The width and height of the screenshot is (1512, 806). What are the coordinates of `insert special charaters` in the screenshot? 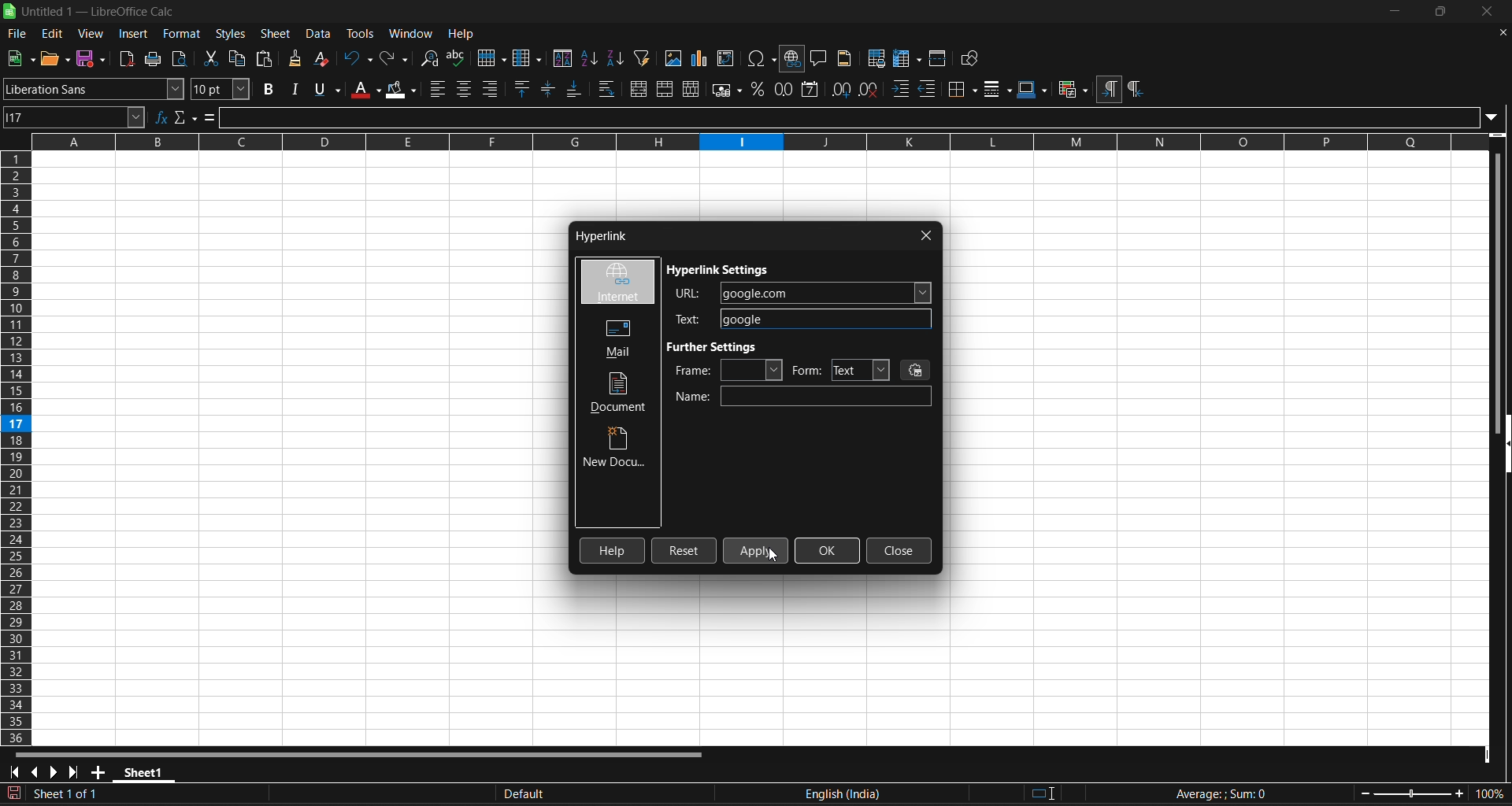 It's located at (760, 58).